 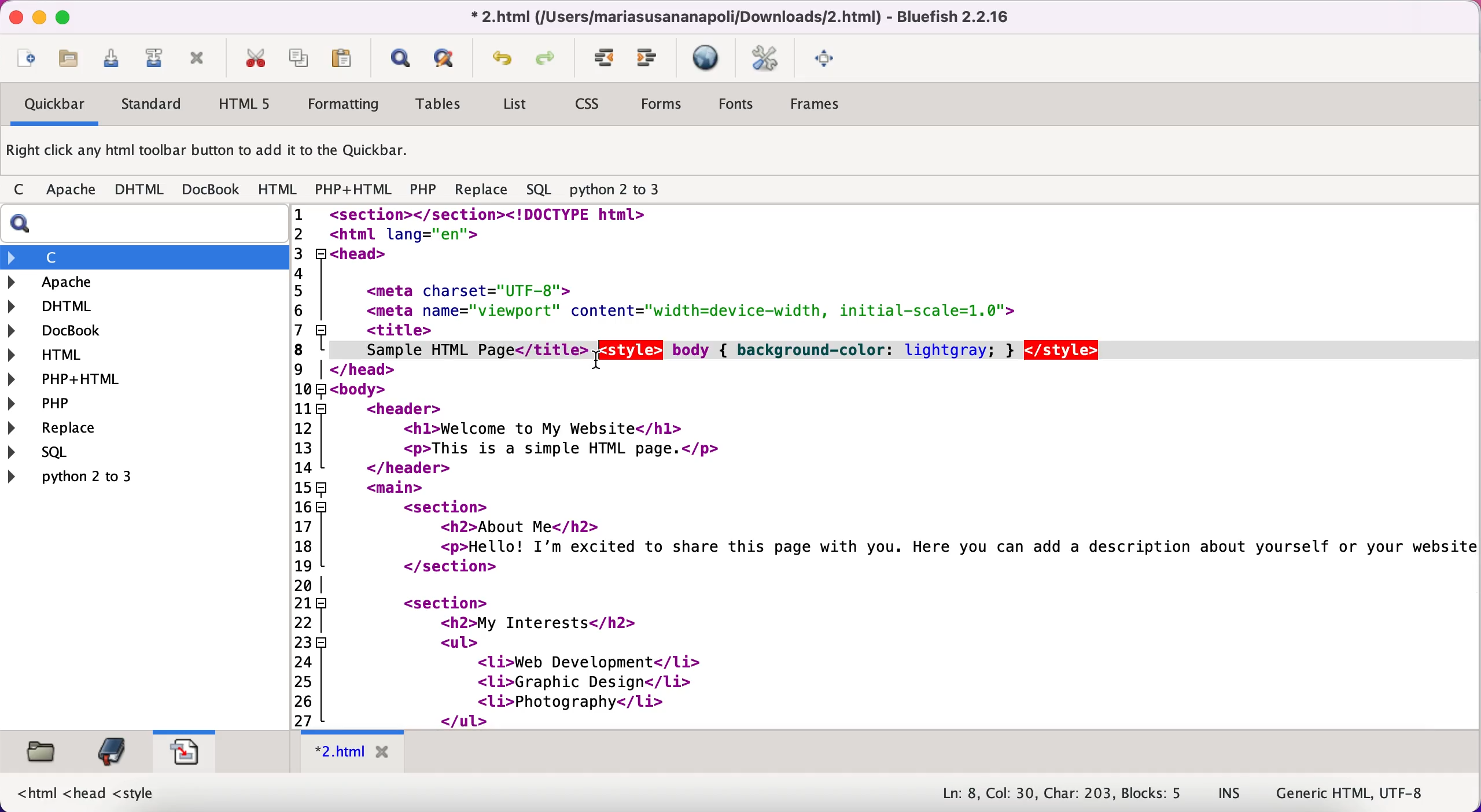 I want to click on list, so click(x=514, y=106).